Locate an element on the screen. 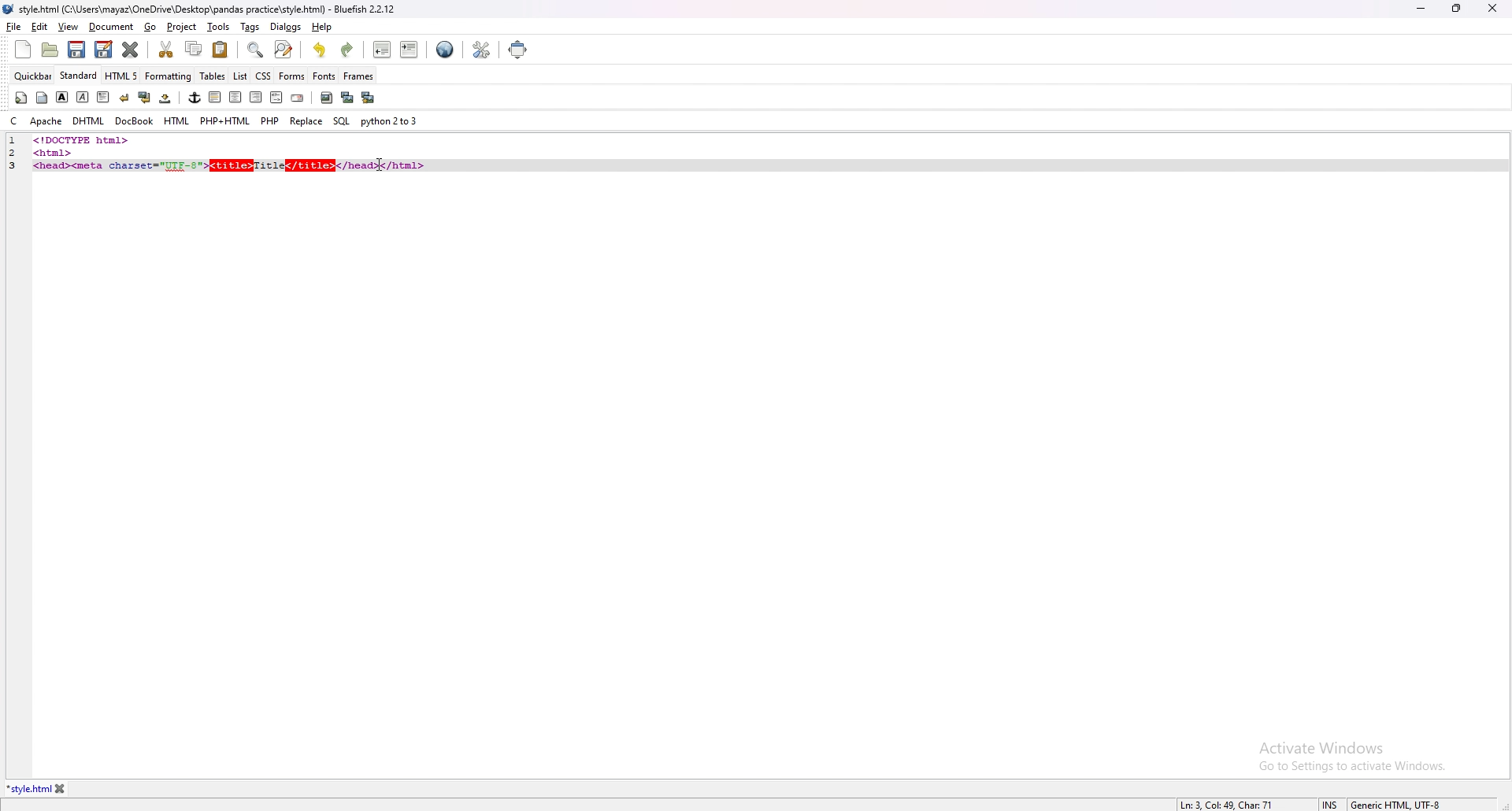 The image size is (1512, 811). left indent is located at coordinates (213, 97).